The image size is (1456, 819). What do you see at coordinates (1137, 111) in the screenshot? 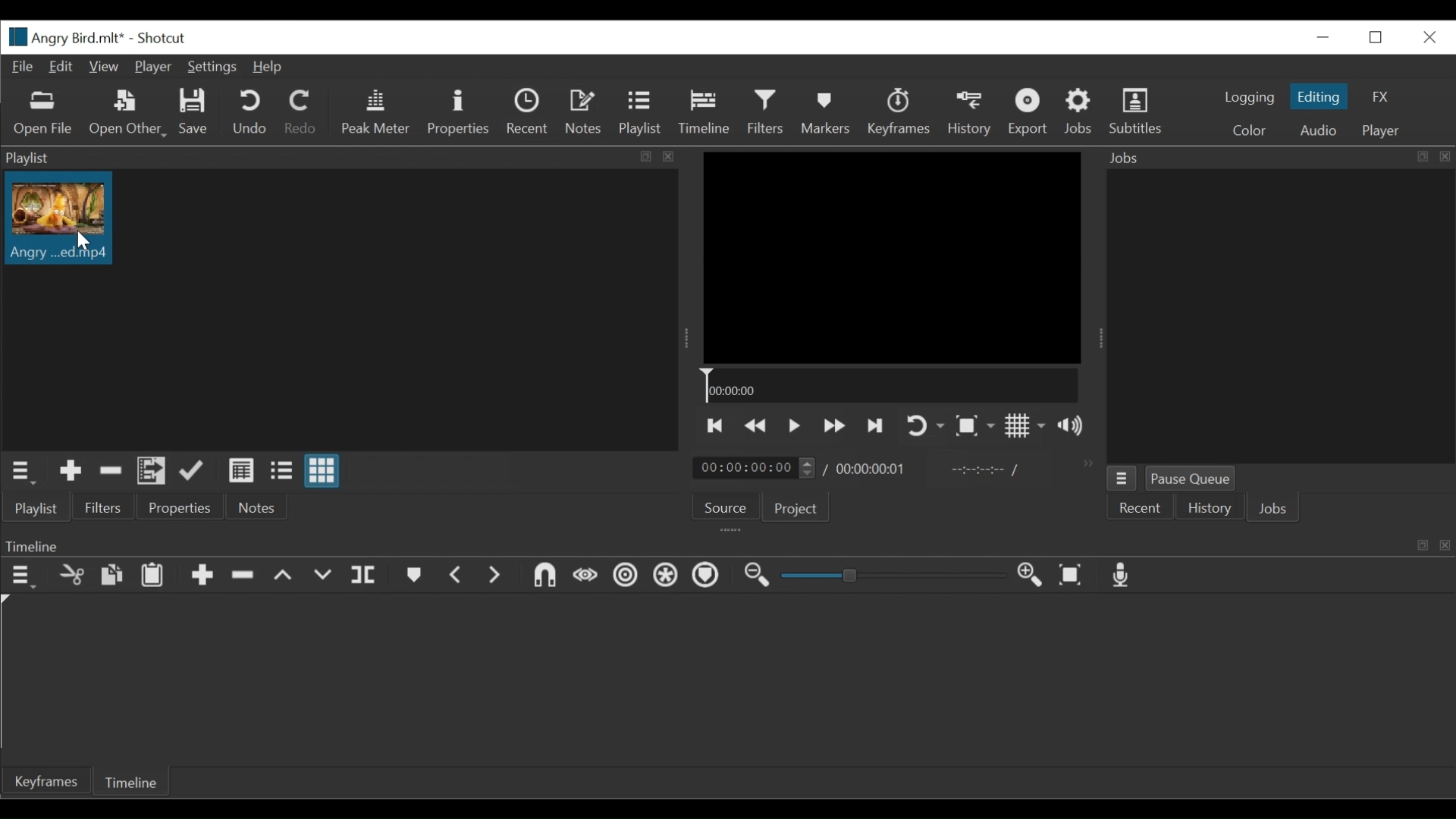
I see `Subtitles` at bounding box center [1137, 111].